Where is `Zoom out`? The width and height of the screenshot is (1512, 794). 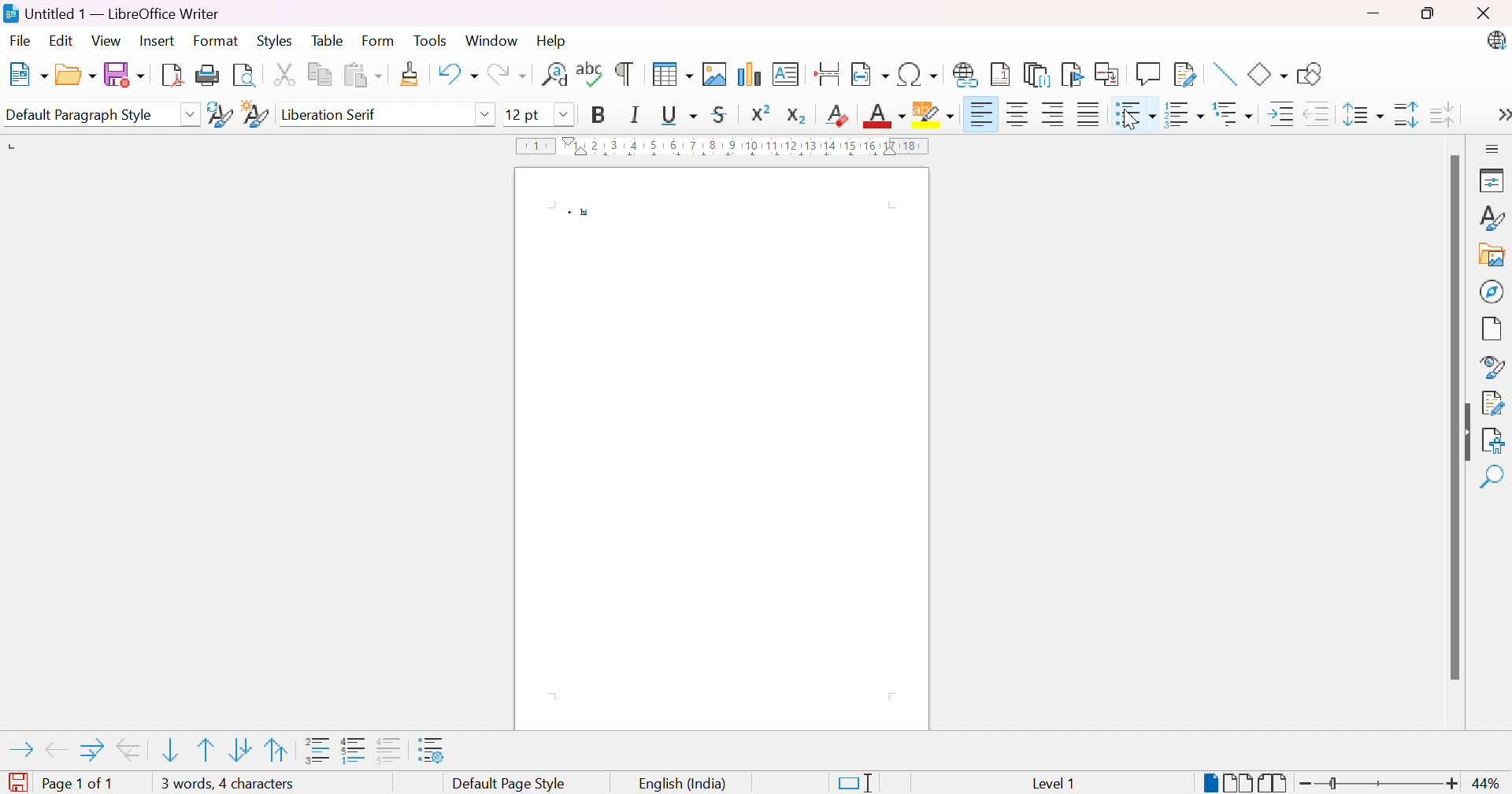 Zoom out is located at coordinates (1299, 784).